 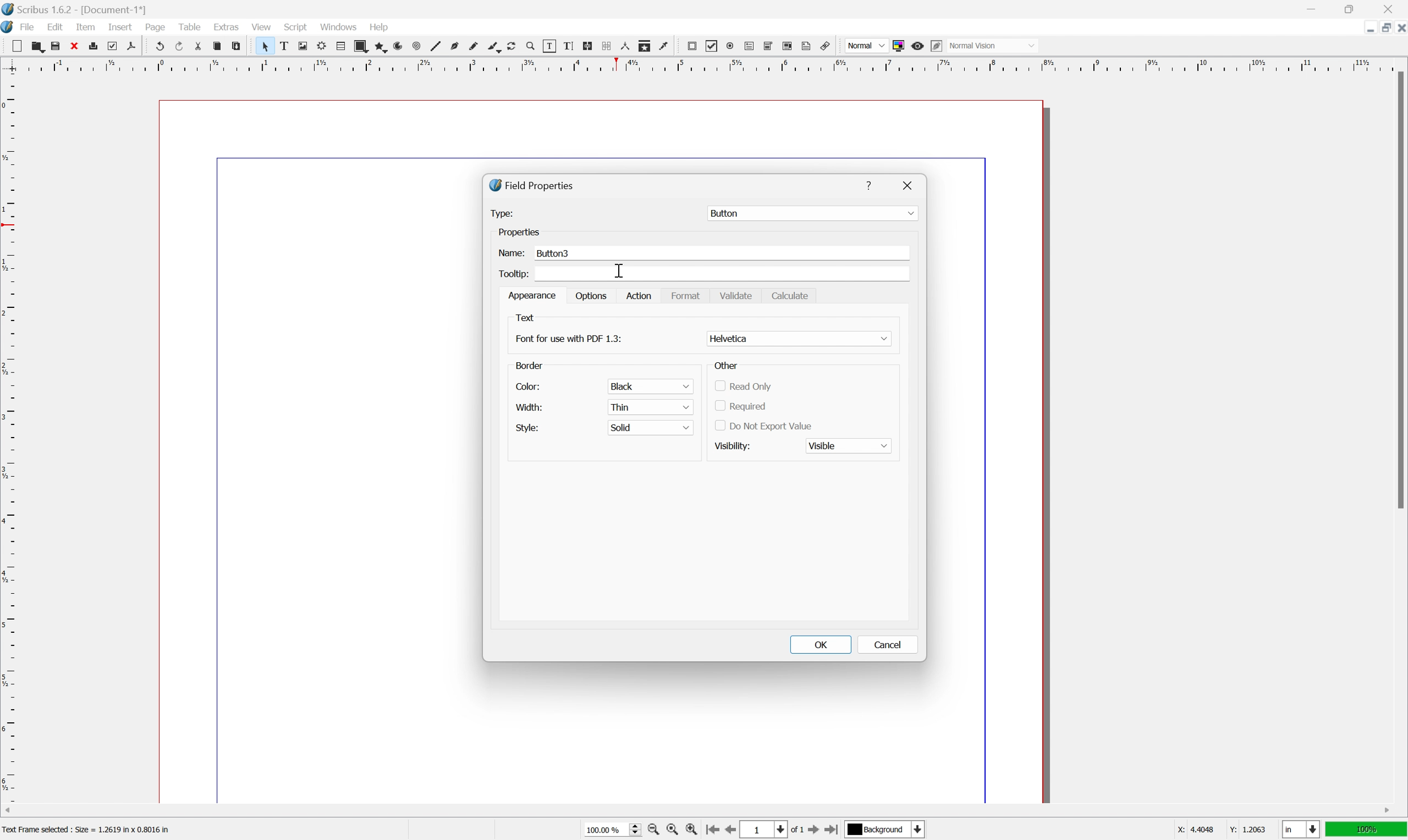 I want to click on read only, so click(x=744, y=386).